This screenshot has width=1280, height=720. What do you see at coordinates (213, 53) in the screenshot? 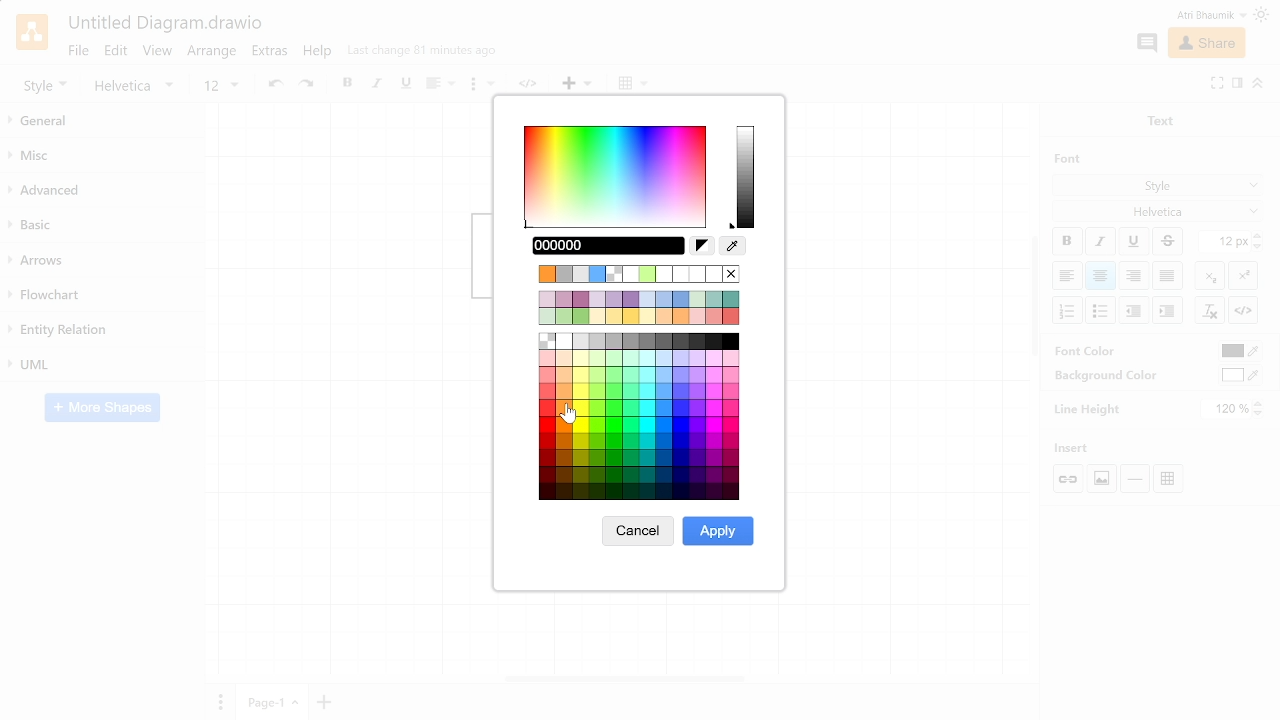
I see `Arrange` at bounding box center [213, 53].